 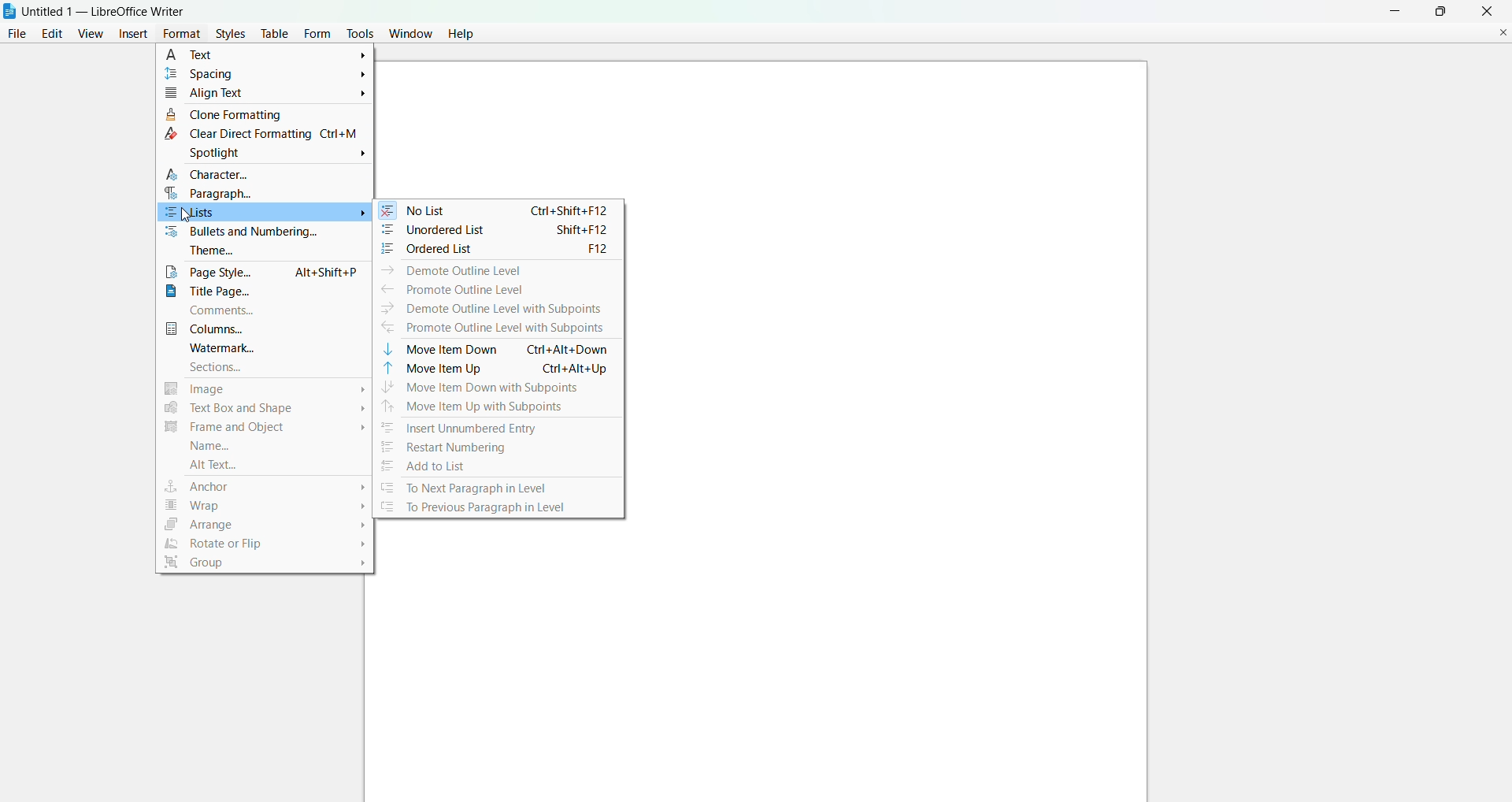 What do you see at coordinates (427, 466) in the screenshot?
I see `add to list` at bounding box center [427, 466].